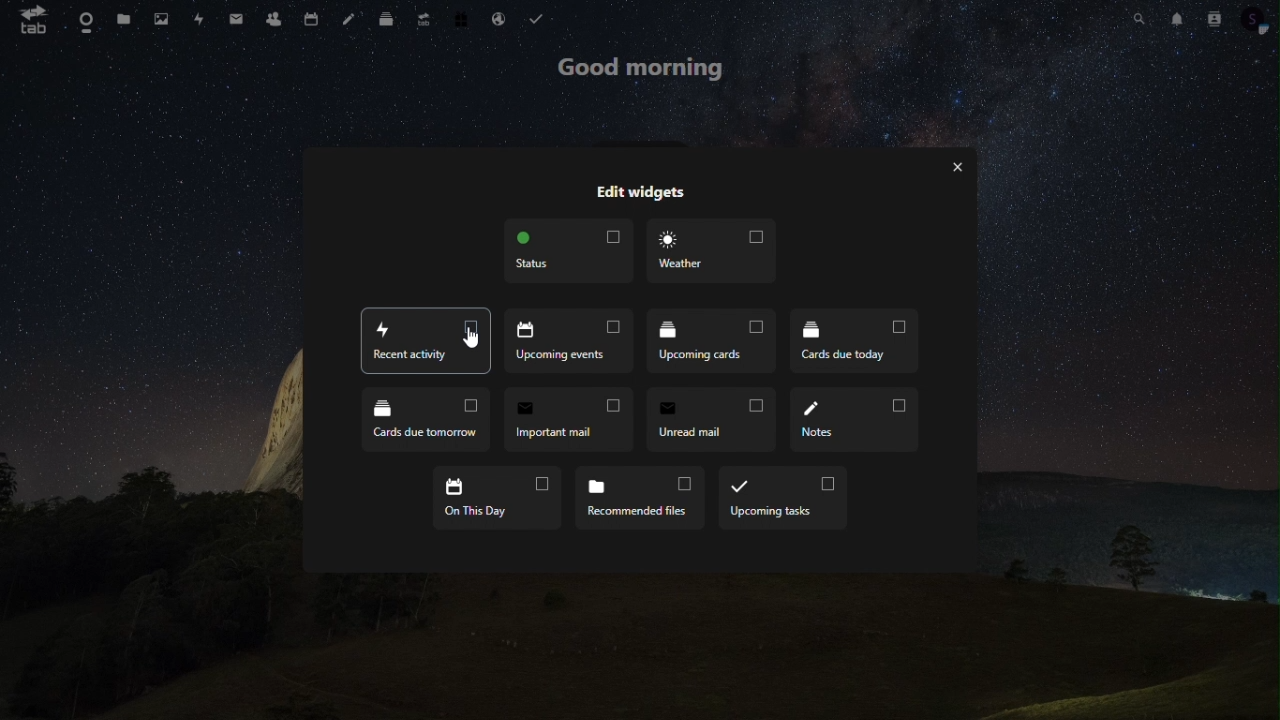  Describe the element at coordinates (1138, 17) in the screenshot. I see `search` at that location.